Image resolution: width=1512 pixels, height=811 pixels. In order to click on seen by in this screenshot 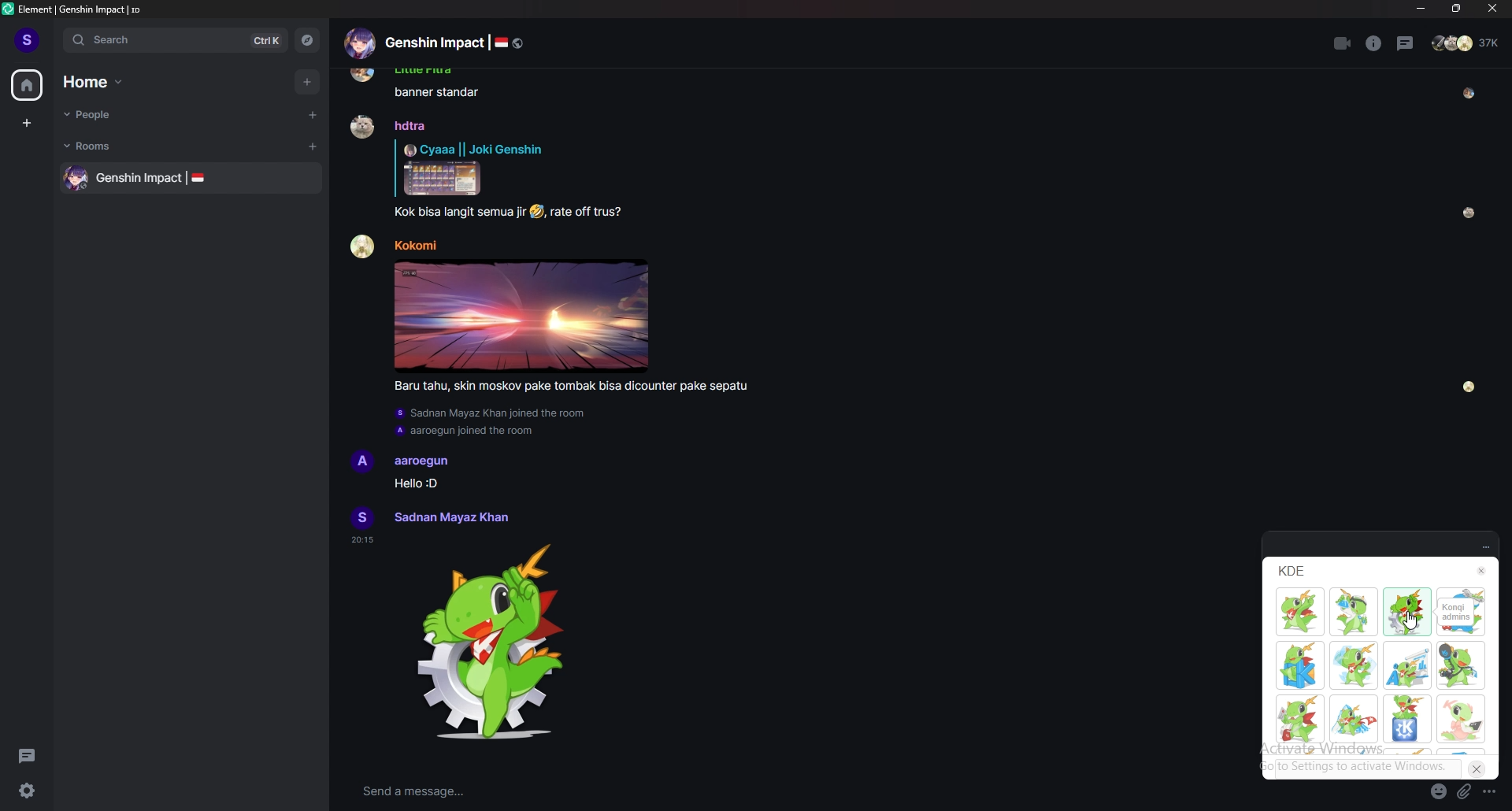, I will do `click(1469, 387)`.